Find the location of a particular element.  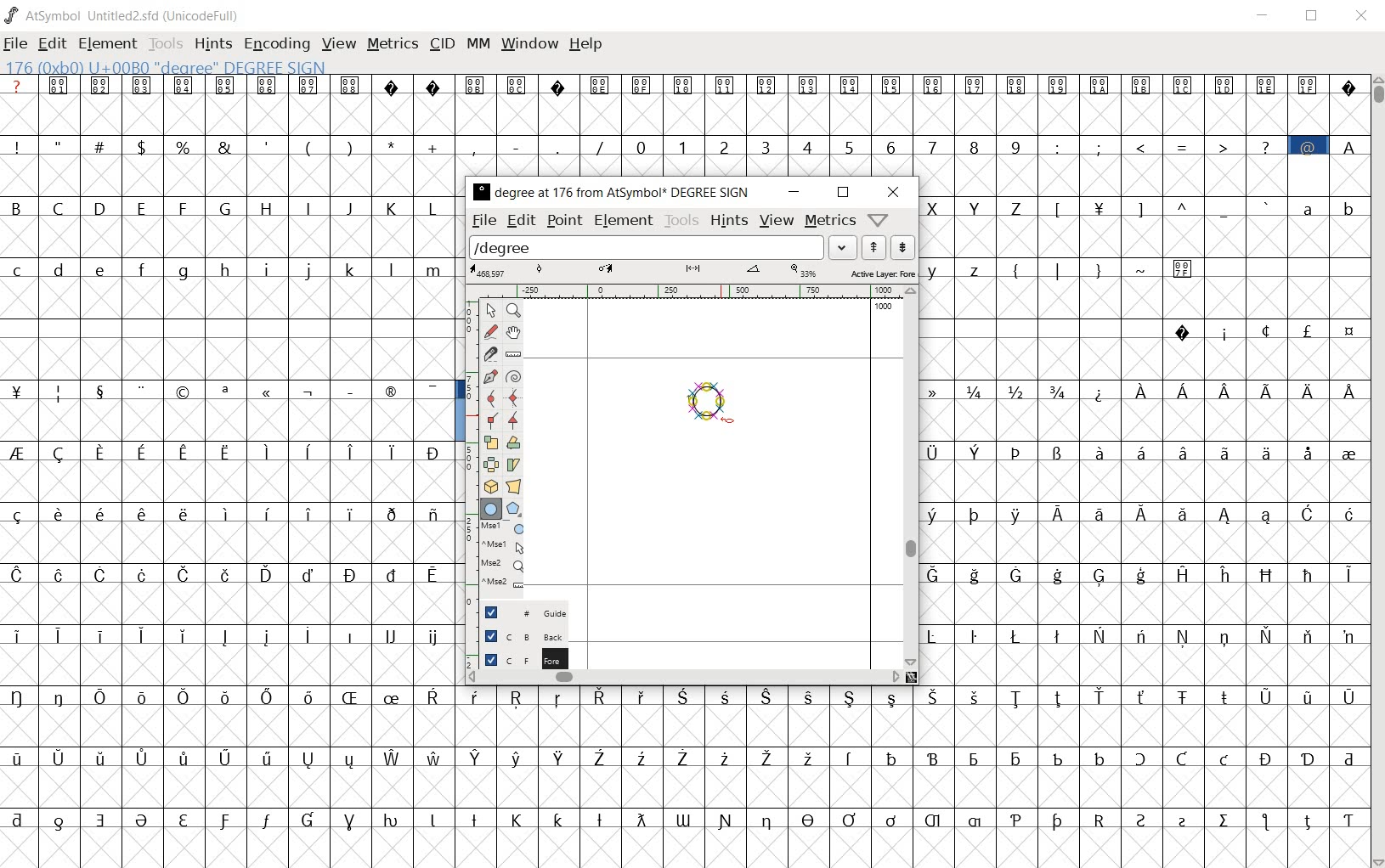

background is located at coordinates (514, 638).